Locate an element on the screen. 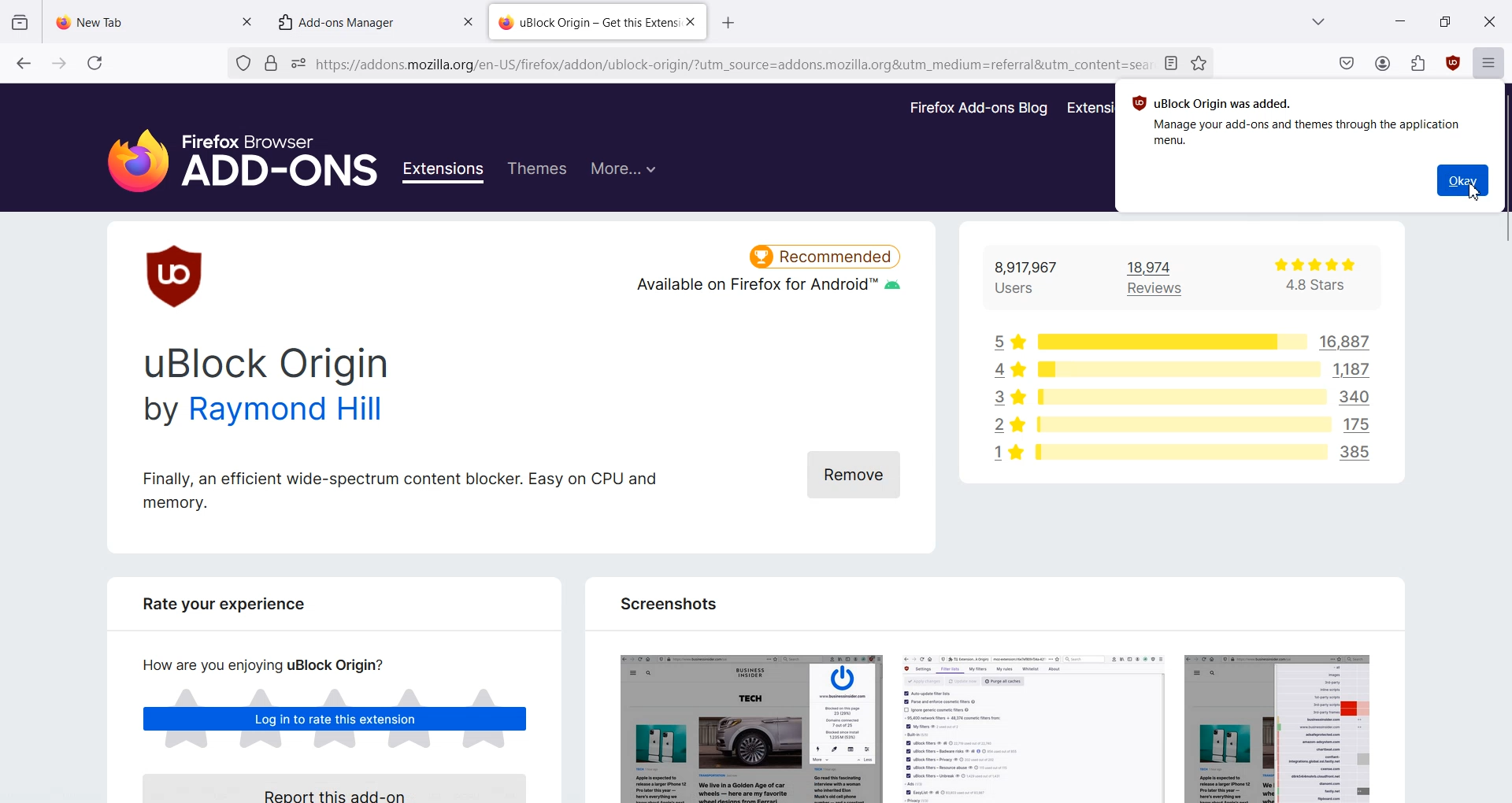 The width and height of the screenshot is (1512, 803). Add-ons Manager is located at coordinates (344, 21).